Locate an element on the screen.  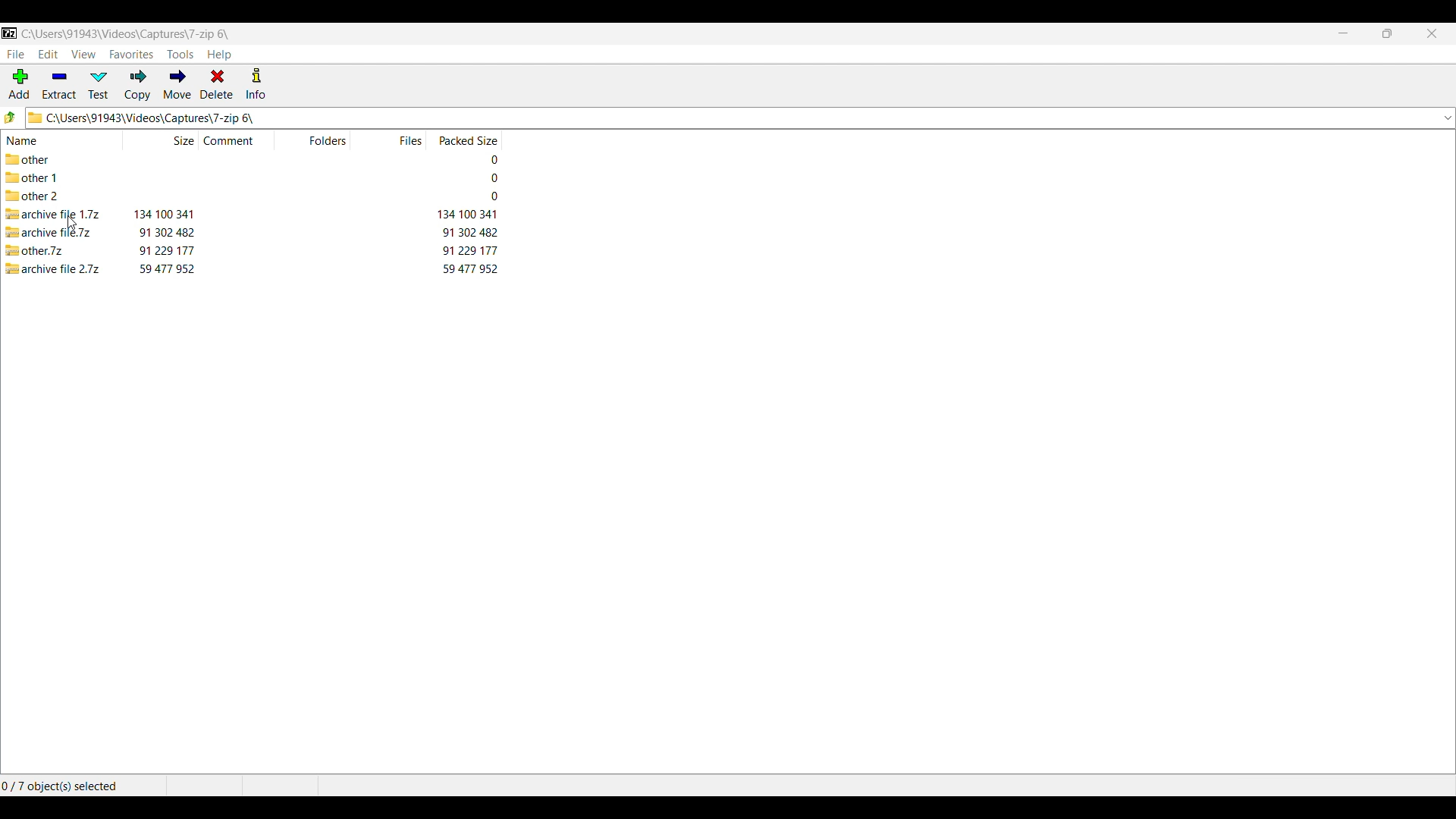
File  is located at coordinates (15, 55).